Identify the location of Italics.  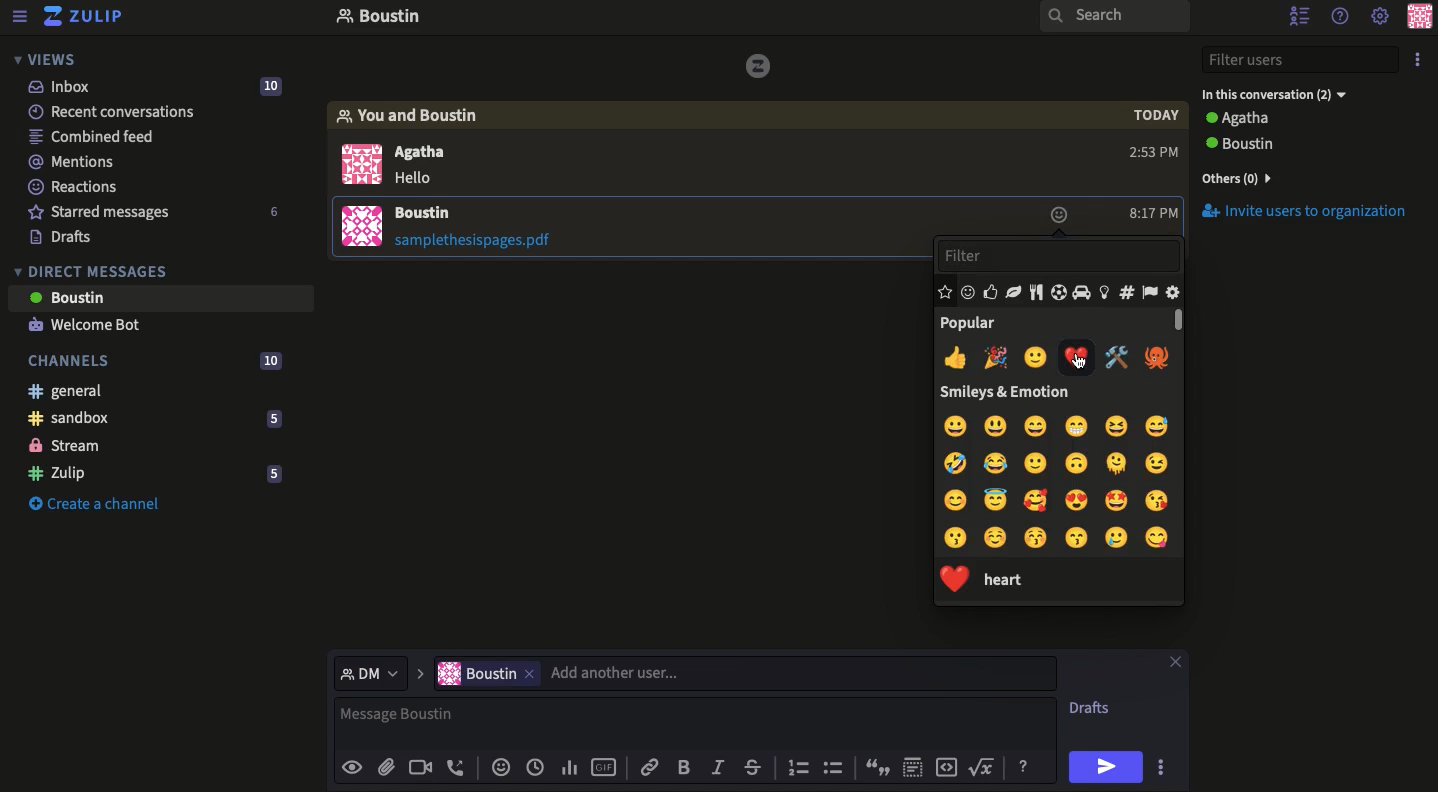
(717, 766).